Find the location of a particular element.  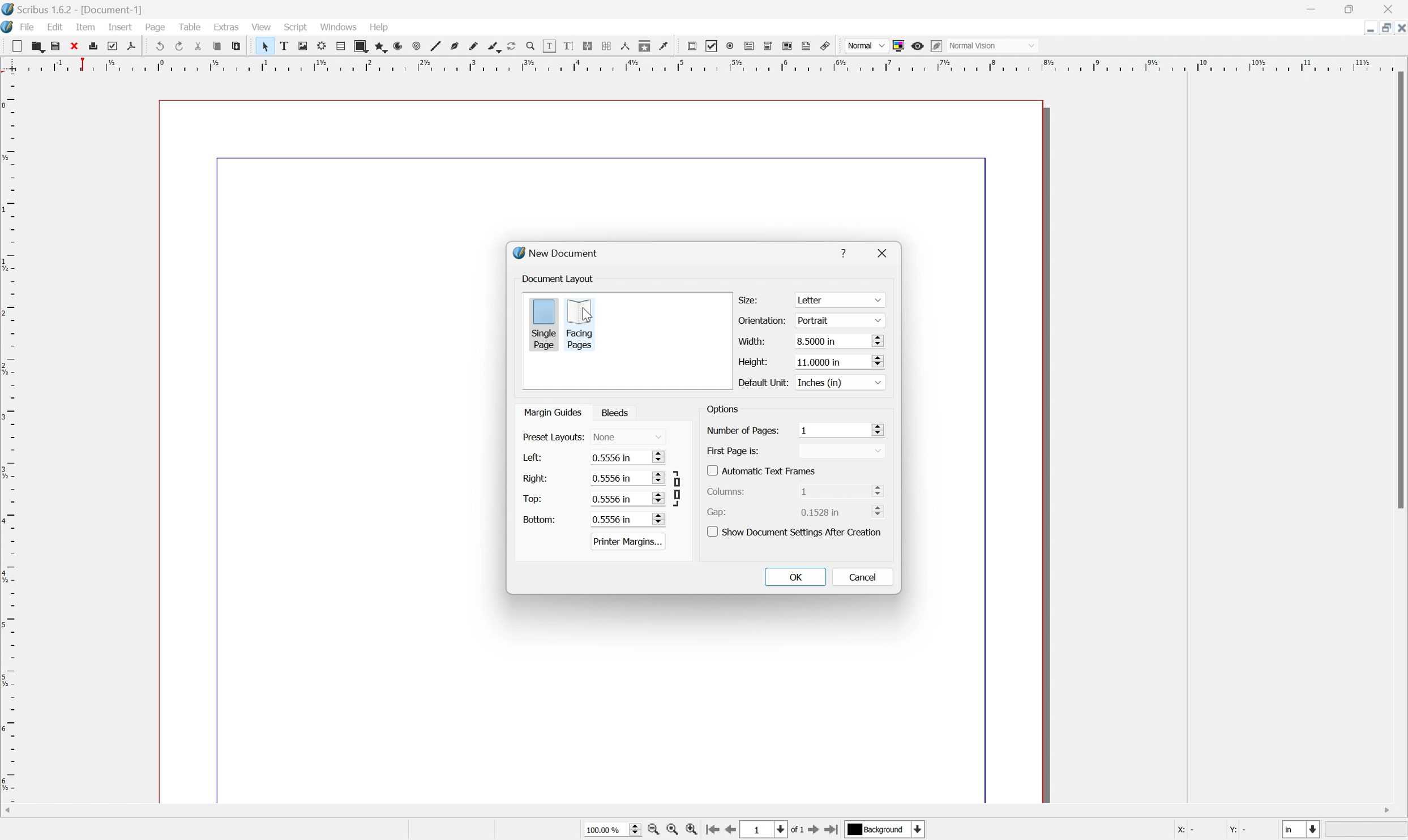

Normal is located at coordinates (864, 45).